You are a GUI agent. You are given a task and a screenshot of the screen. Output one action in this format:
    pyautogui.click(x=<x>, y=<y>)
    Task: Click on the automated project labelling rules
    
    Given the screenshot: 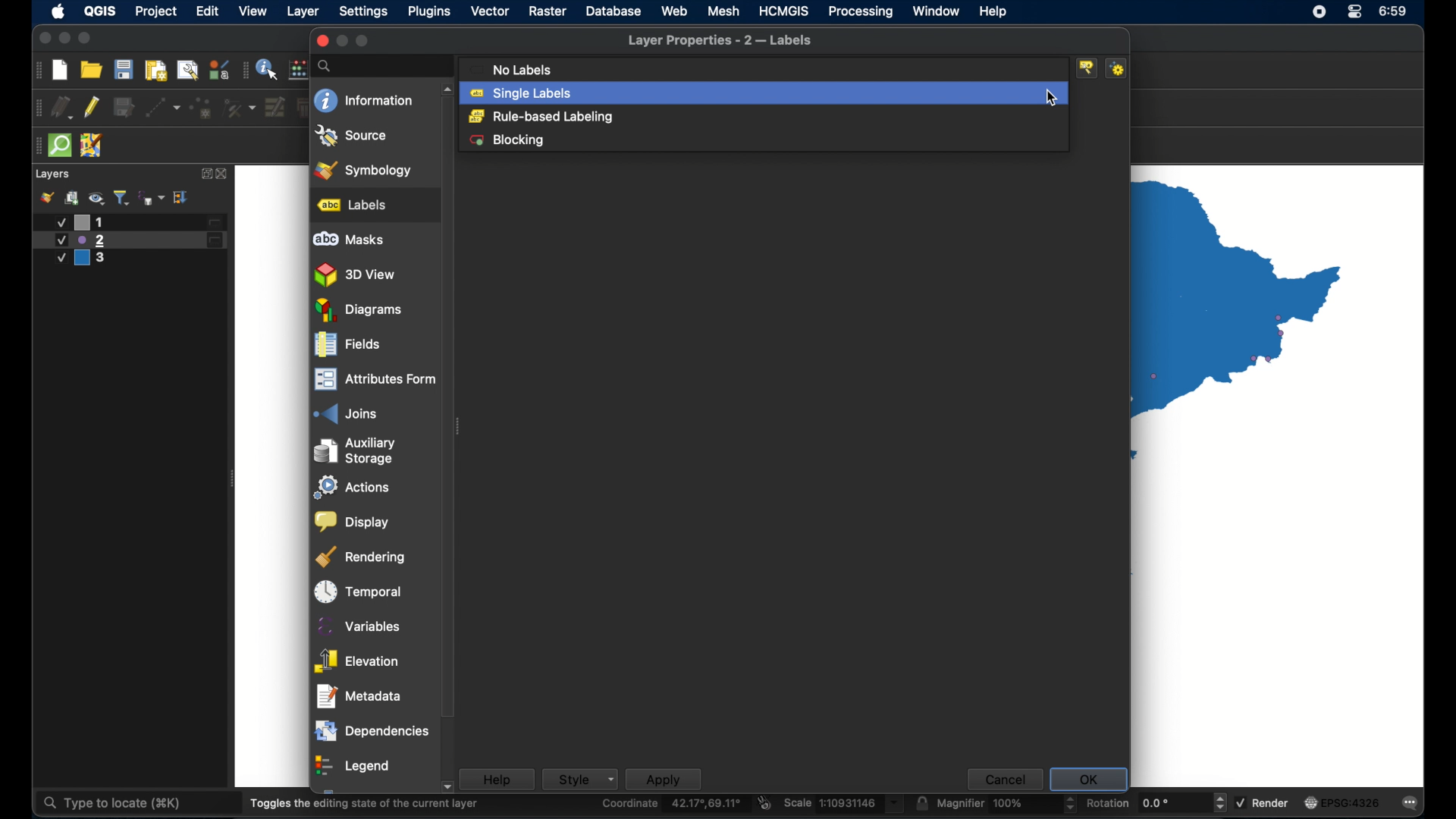 What is the action you would take?
    pyautogui.click(x=1119, y=68)
    